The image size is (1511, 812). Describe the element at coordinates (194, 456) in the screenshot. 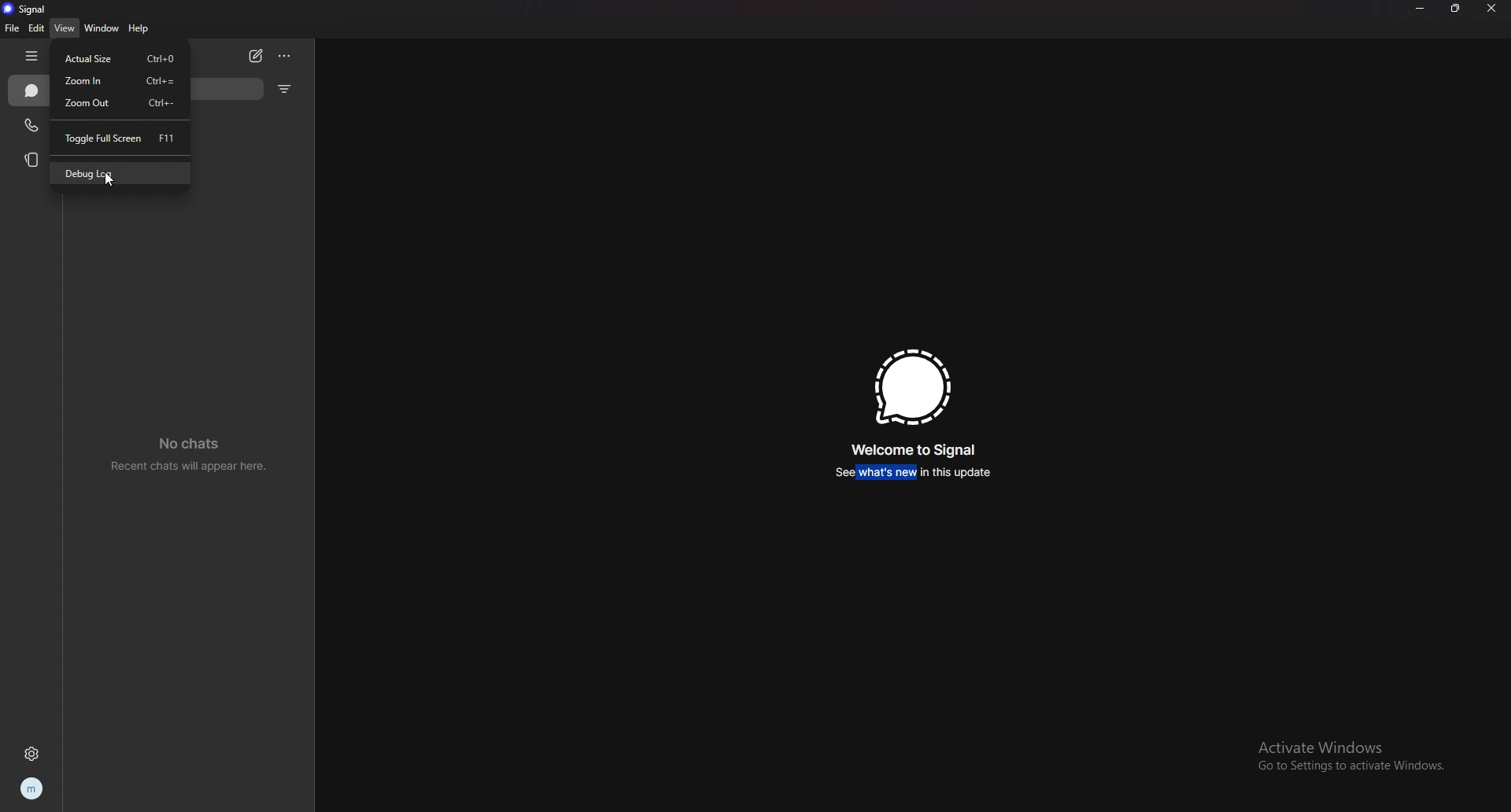

I see `no chats recent chats will appear here` at that location.